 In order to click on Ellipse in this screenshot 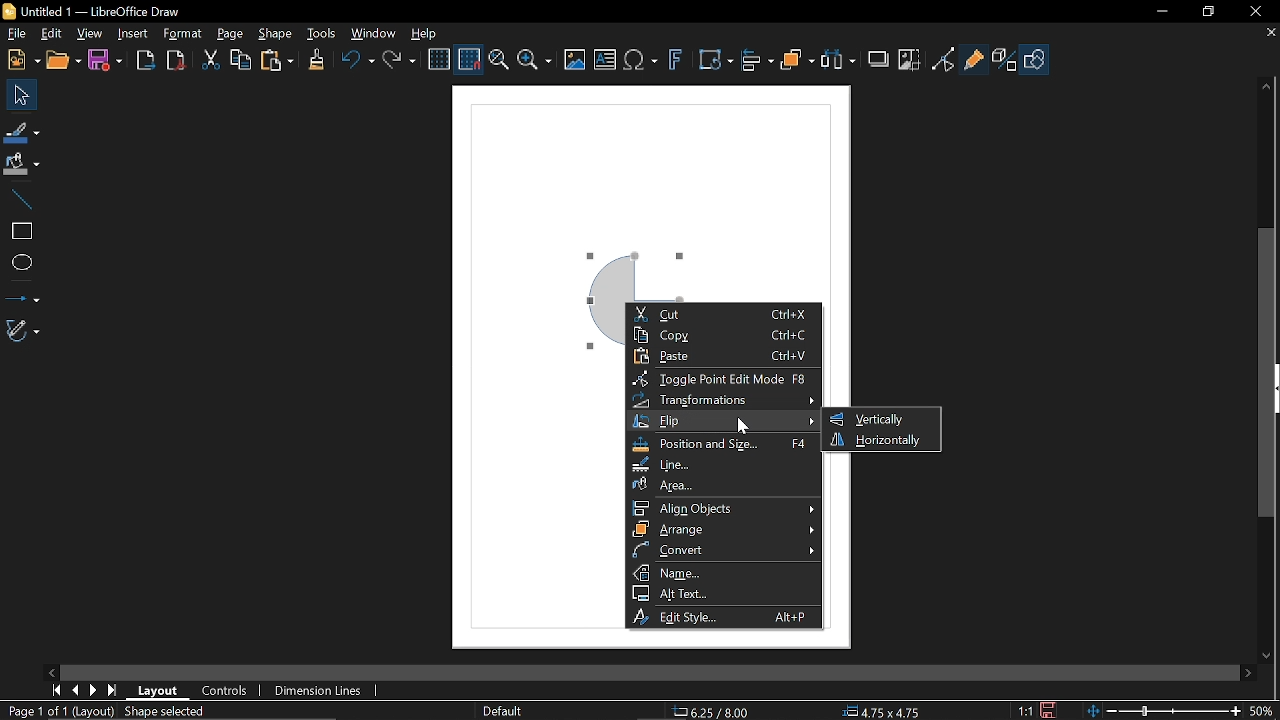, I will do `click(21, 262)`.